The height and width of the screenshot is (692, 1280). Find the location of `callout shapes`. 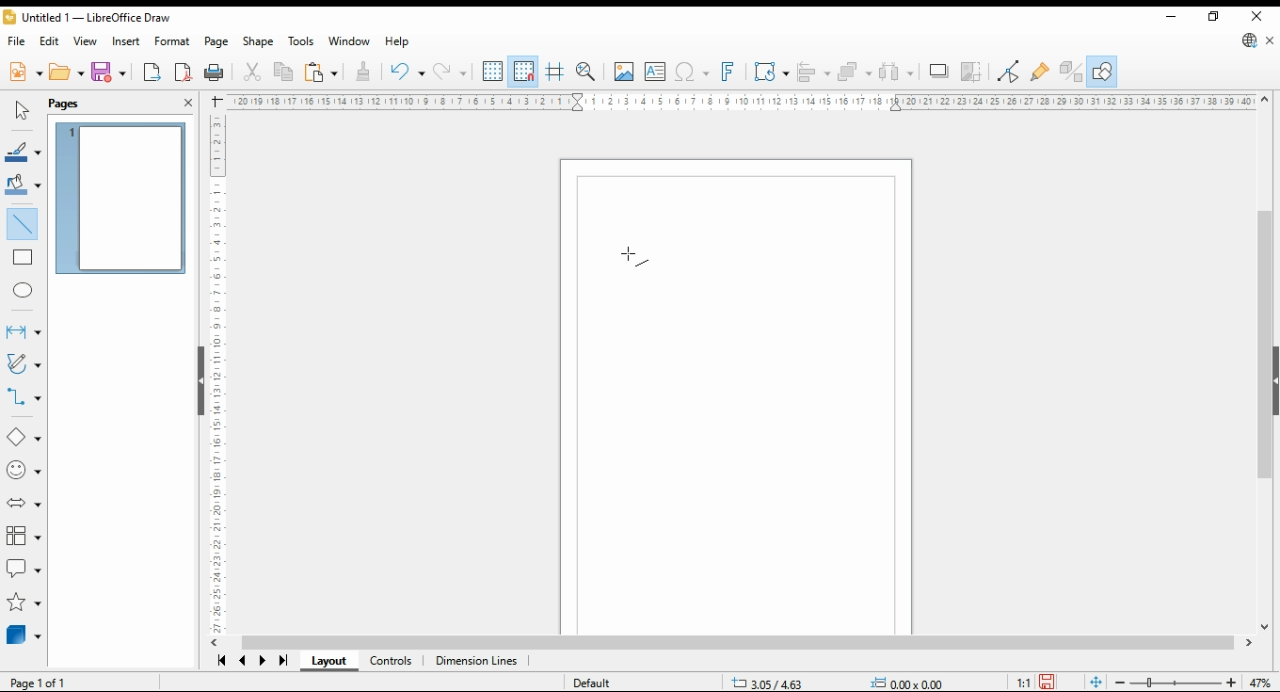

callout shapes is located at coordinates (24, 569).